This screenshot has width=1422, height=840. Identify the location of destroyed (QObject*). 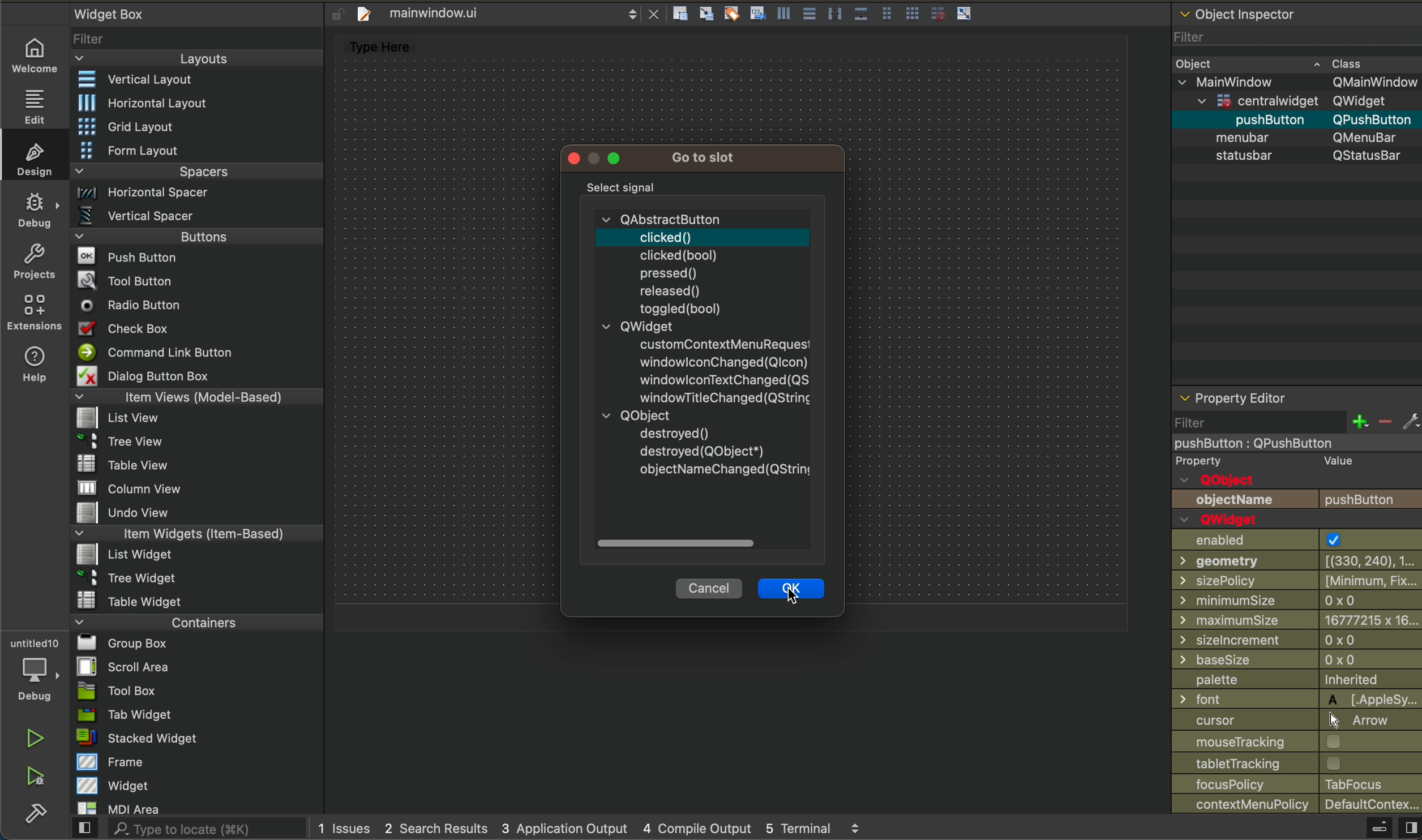
(704, 451).